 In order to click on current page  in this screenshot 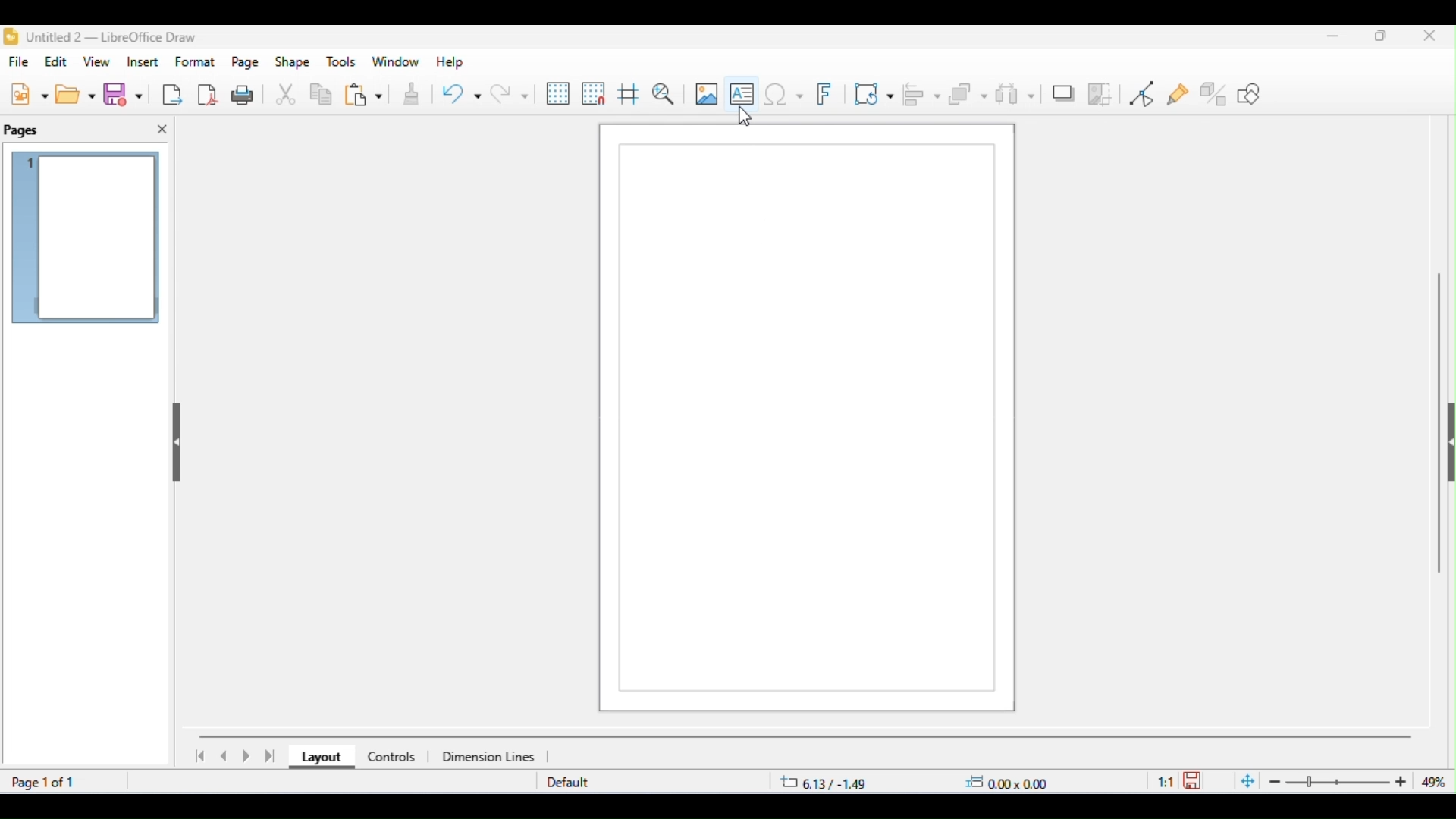, I will do `click(87, 240)`.